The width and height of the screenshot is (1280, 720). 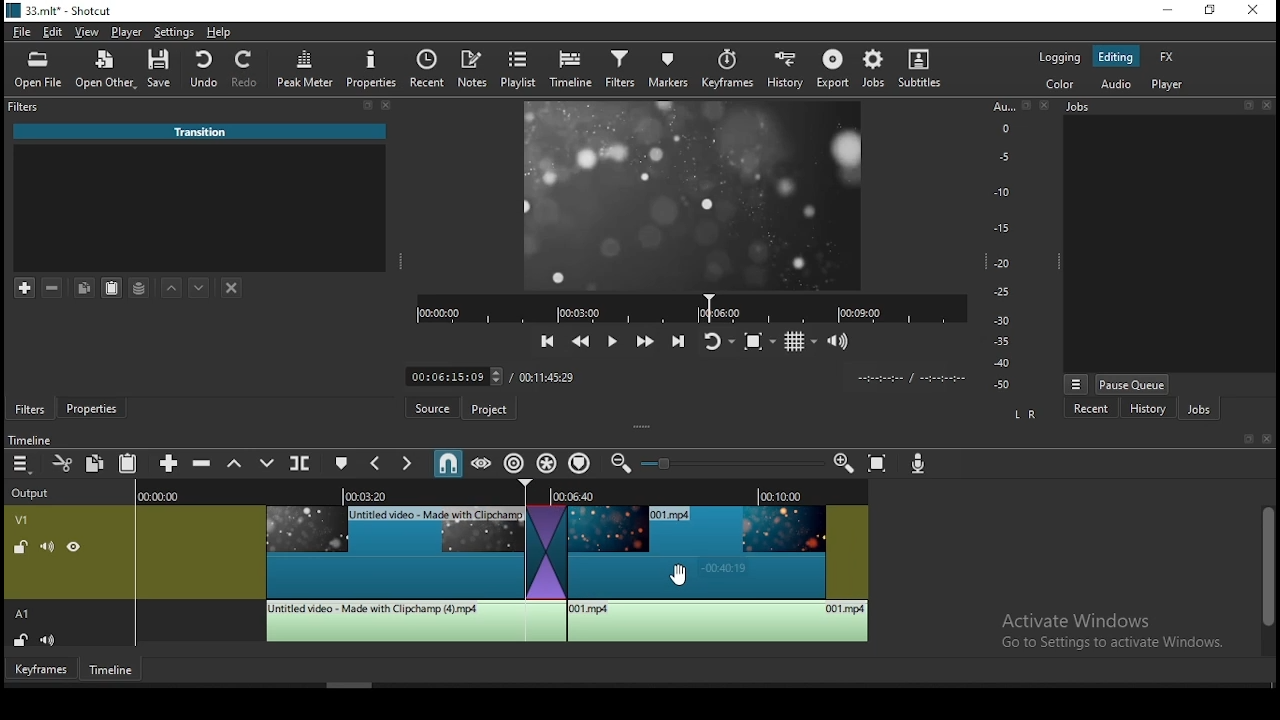 What do you see at coordinates (785, 72) in the screenshot?
I see `history` at bounding box center [785, 72].